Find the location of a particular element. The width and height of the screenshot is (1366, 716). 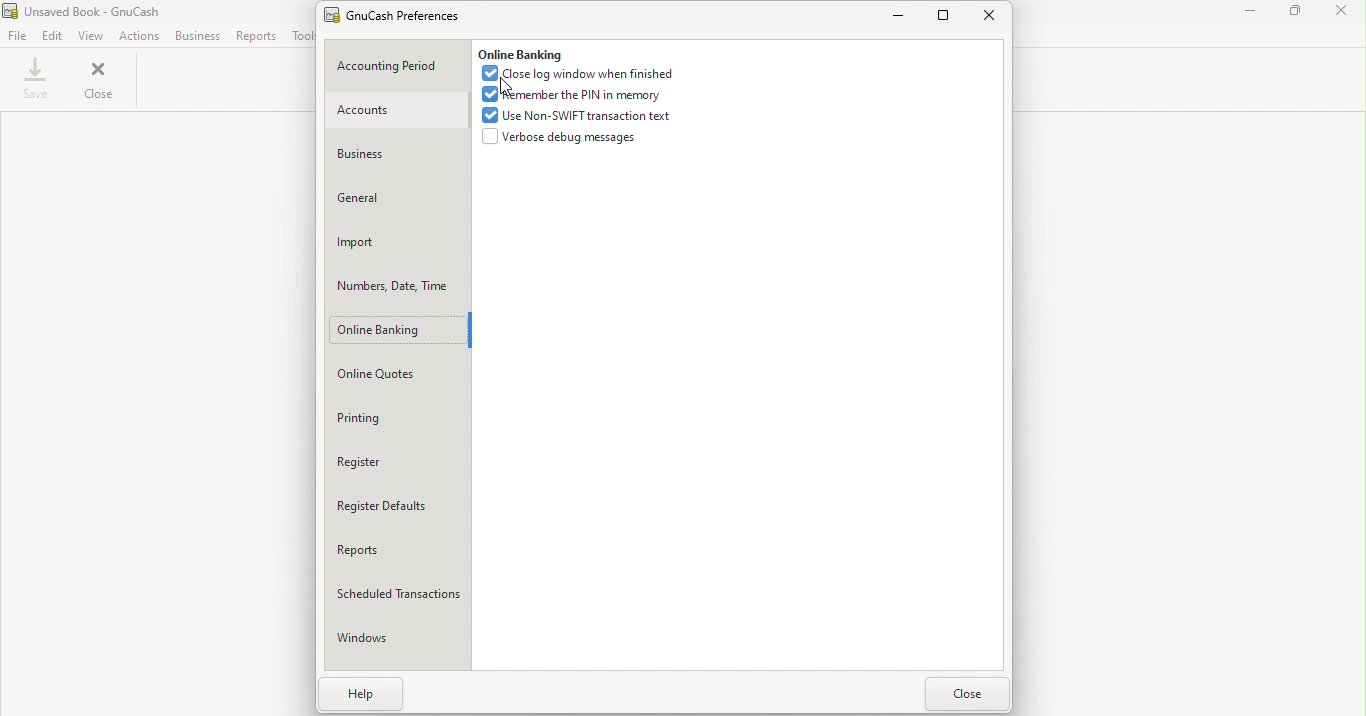

Online Quotes is located at coordinates (401, 376).